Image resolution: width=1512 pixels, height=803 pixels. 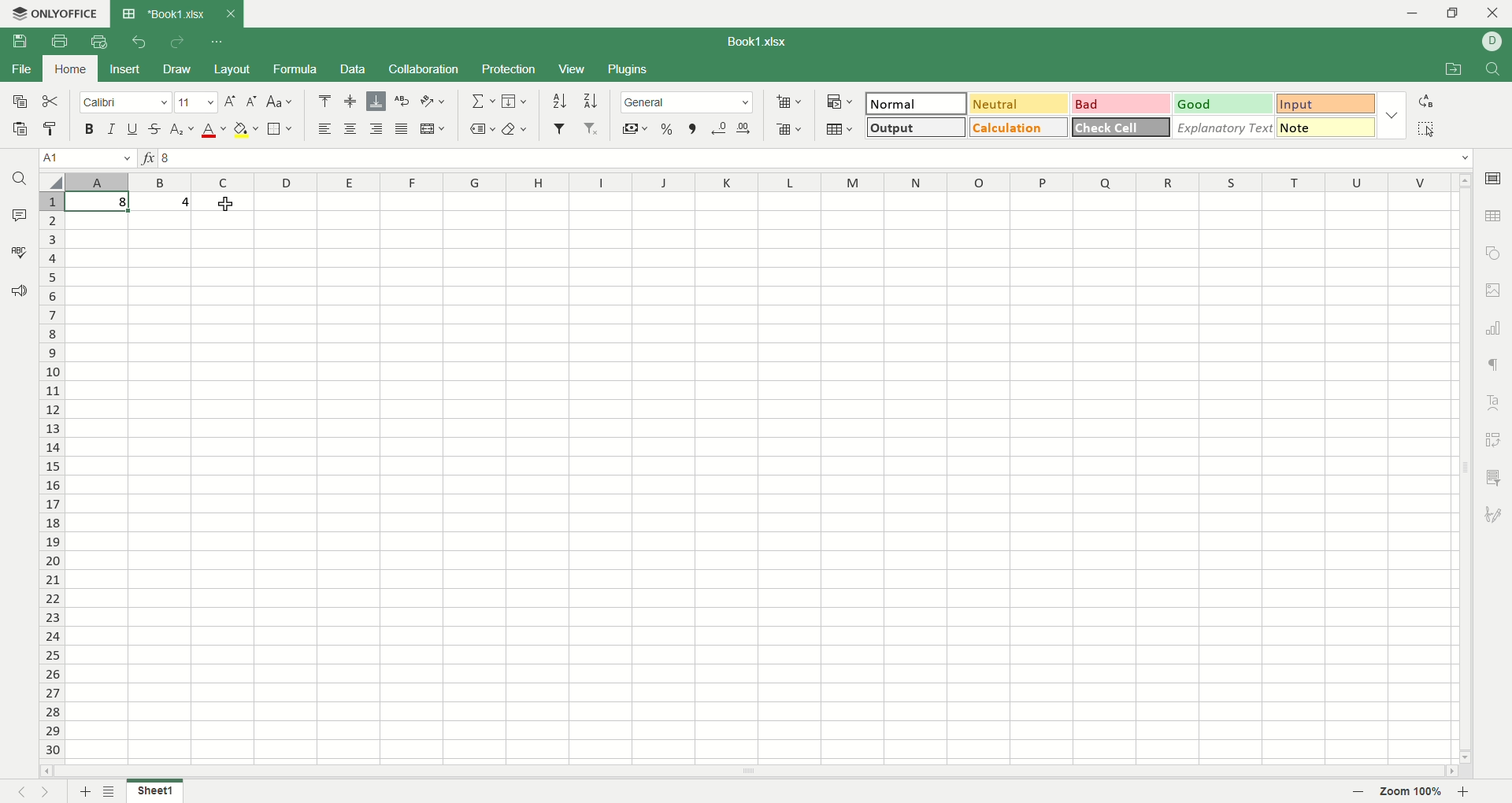 I want to click on plugin, so click(x=625, y=68).